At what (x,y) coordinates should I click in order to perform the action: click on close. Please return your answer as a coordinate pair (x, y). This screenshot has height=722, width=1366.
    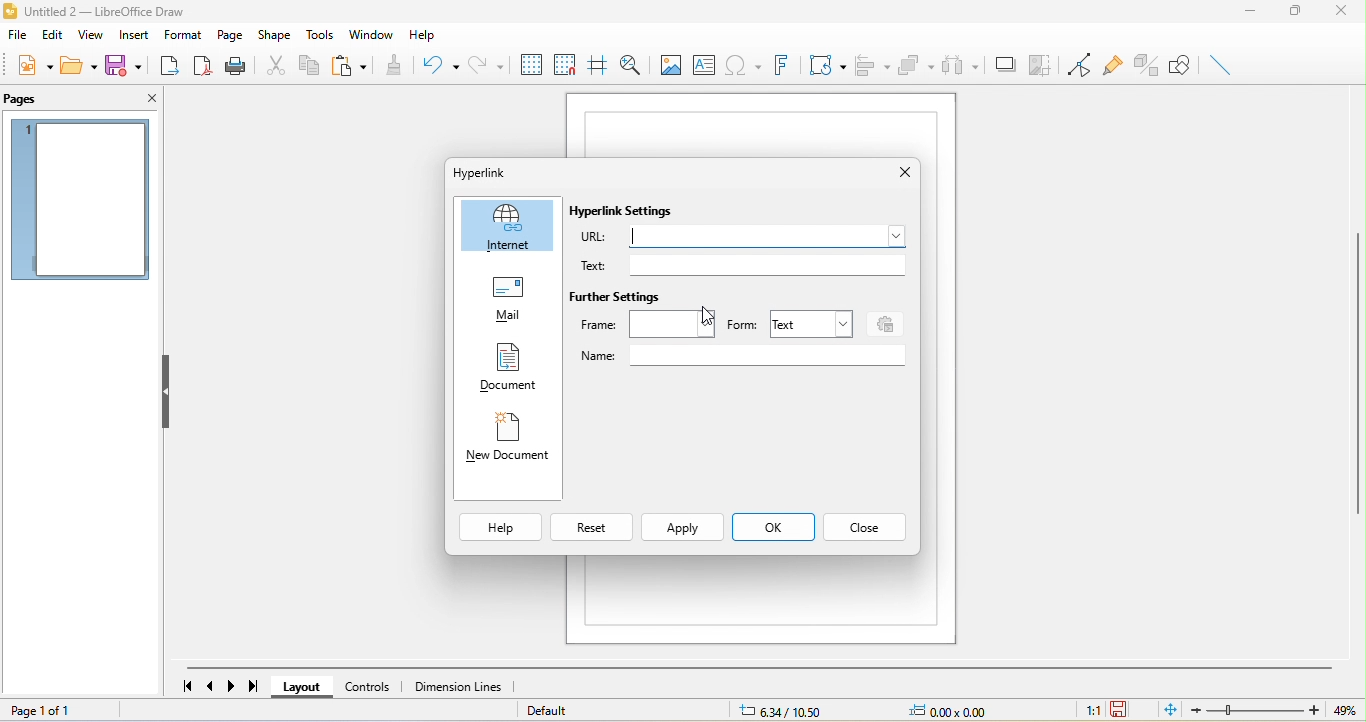
    Looking at the image, I should click on (899, 172).